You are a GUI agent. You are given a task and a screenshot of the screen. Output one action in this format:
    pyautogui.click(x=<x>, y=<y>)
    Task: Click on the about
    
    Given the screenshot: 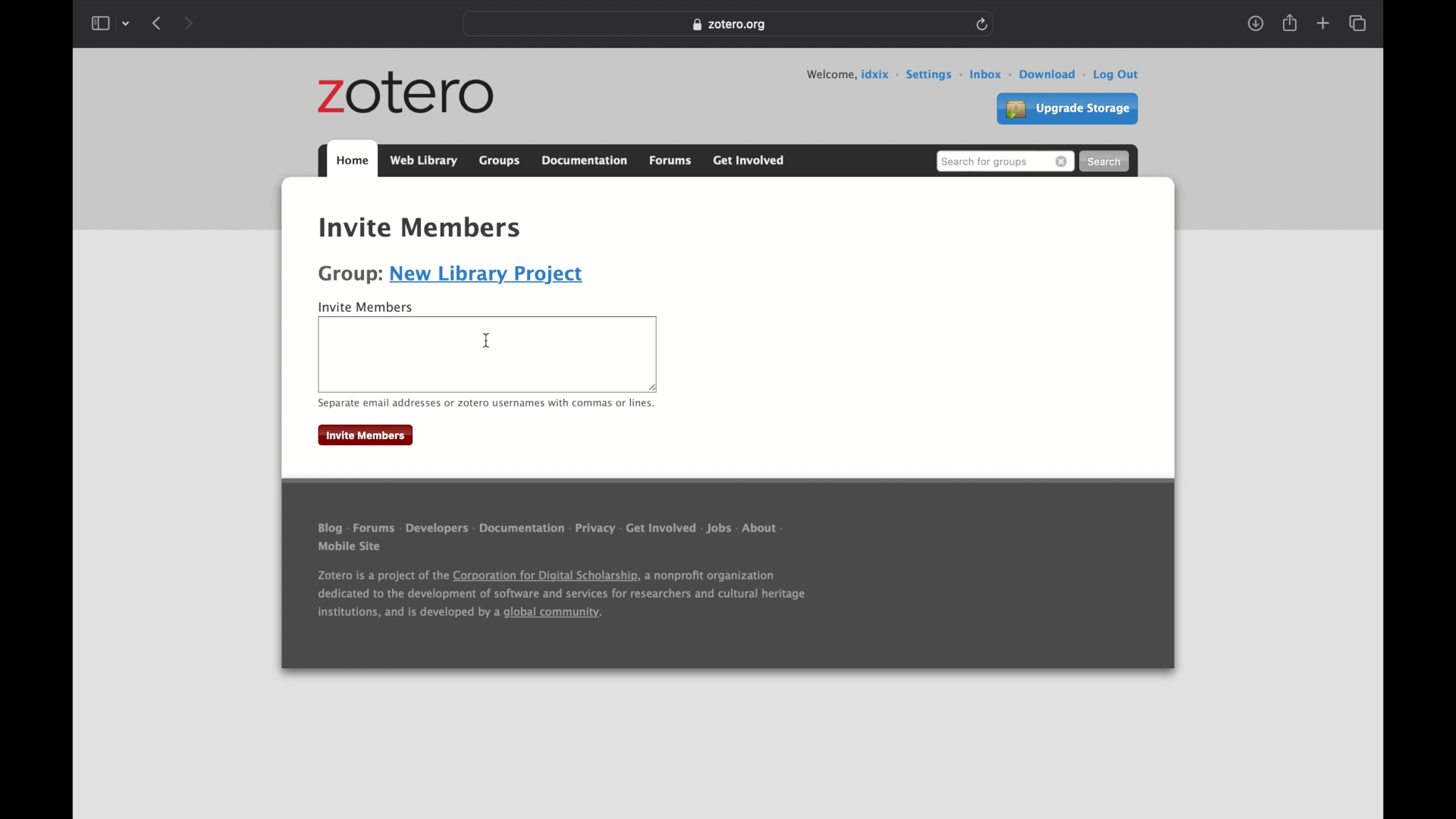 What is the action you would take?
    pyautogui.click(x=763, y=529)
    